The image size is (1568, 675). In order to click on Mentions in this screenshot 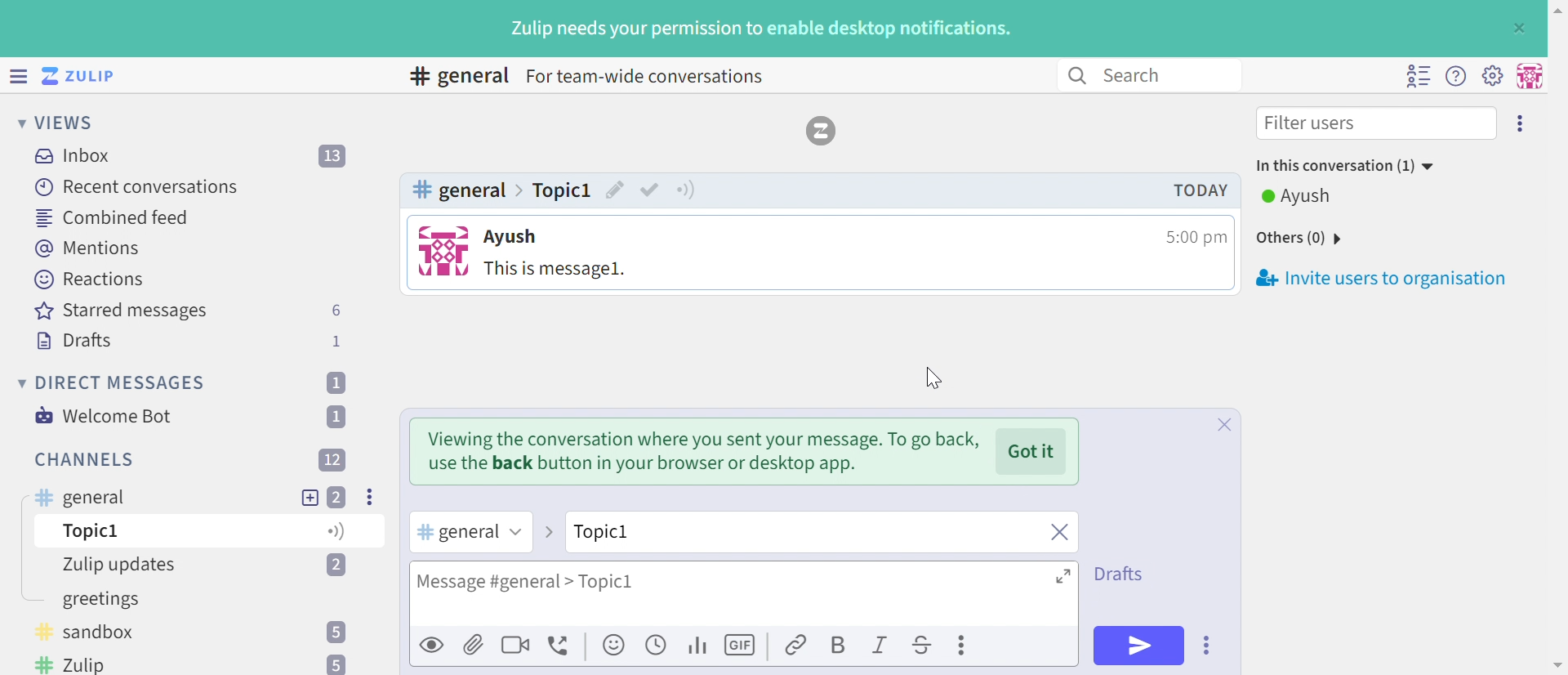, I will do `click(91, 248)`.